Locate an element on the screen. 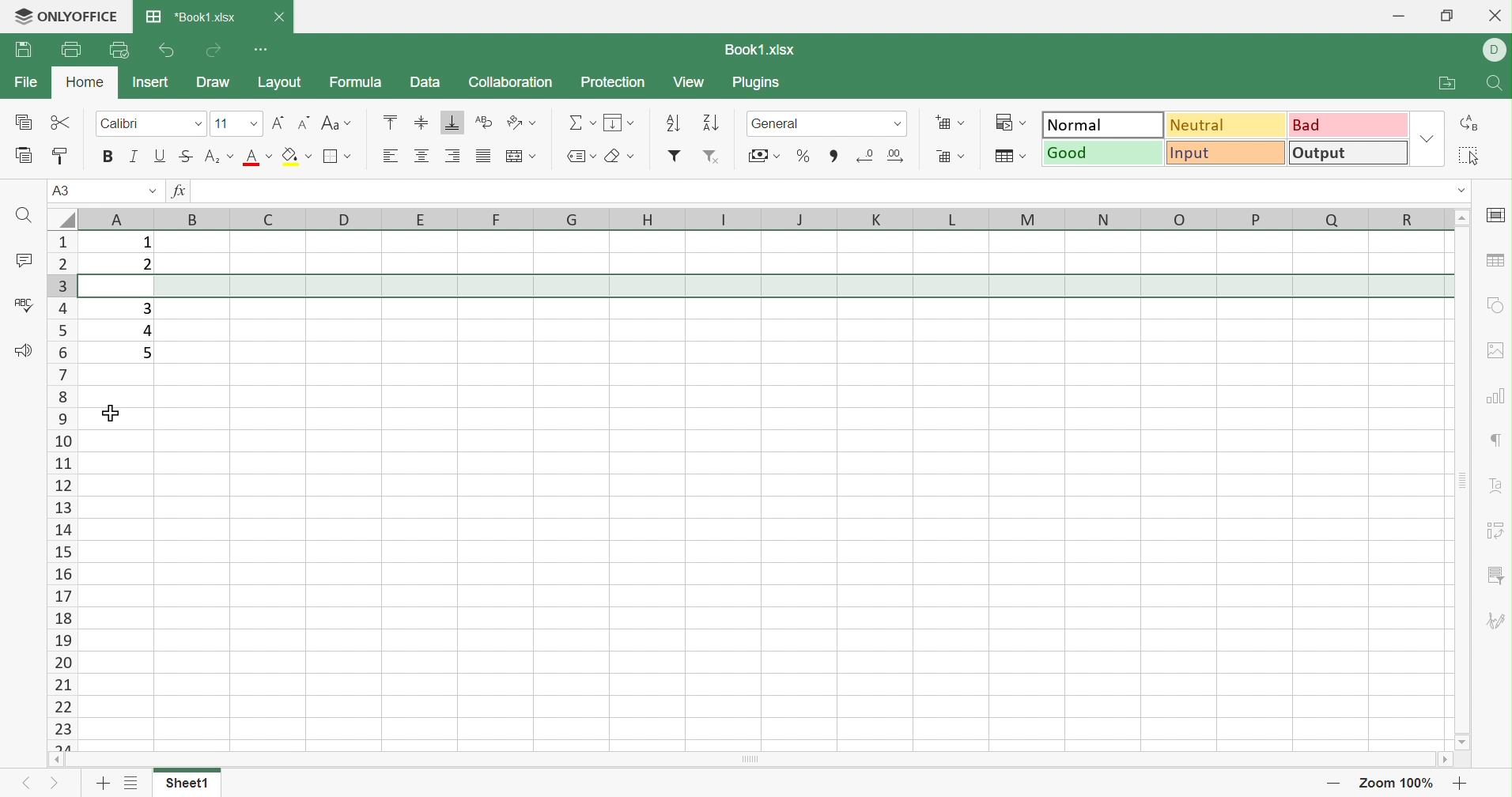  Drop Down is located at coordinates (350, 123).